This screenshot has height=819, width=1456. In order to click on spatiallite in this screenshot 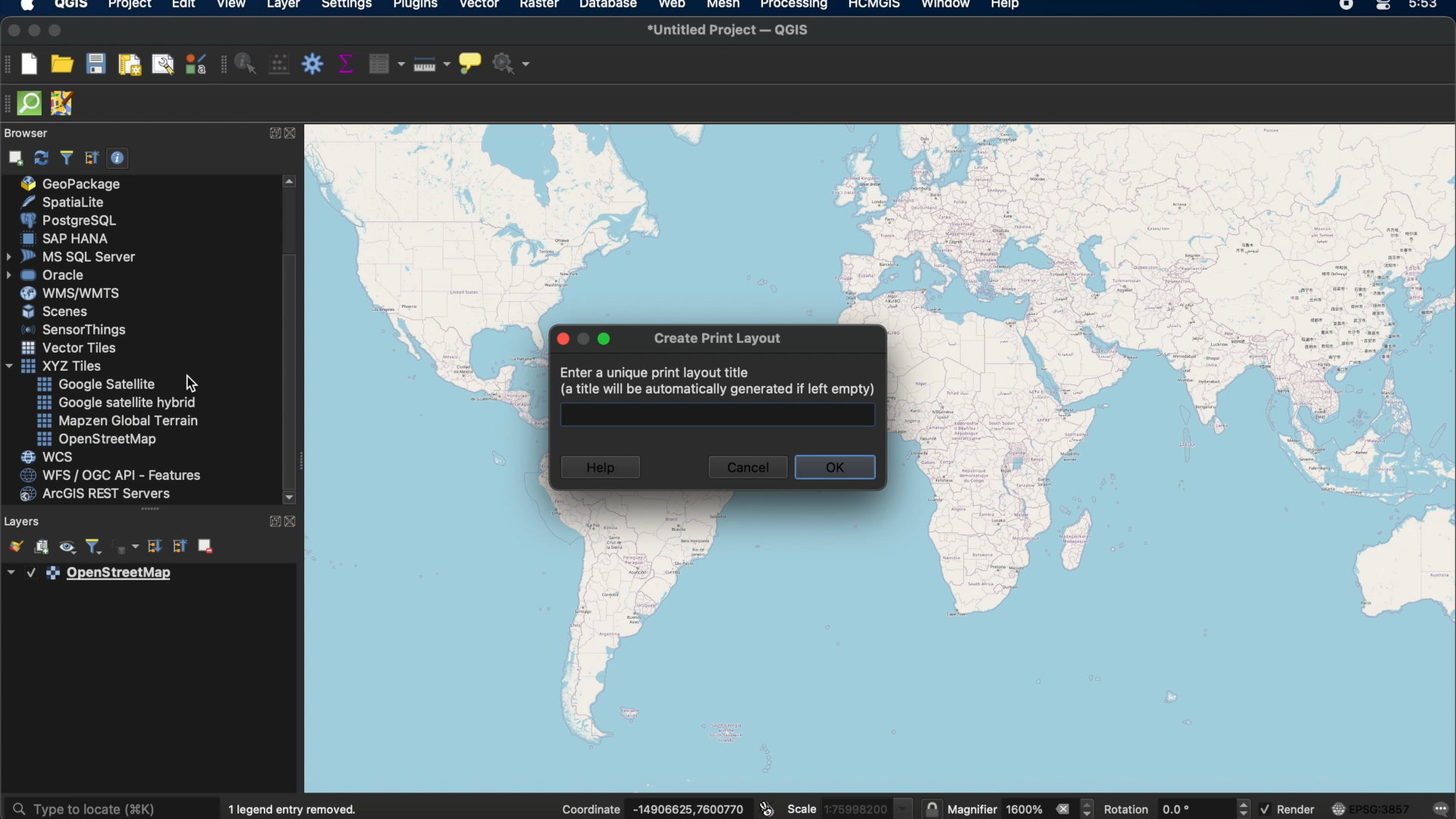, I will do `click(67, 202)`.